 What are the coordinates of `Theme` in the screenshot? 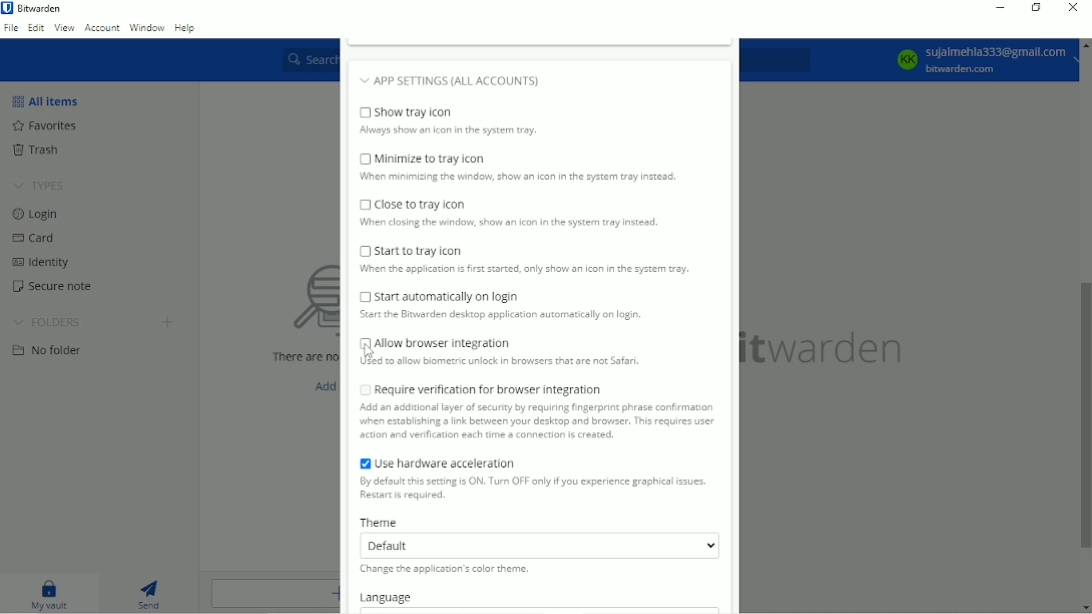 It's located at (380, 521).